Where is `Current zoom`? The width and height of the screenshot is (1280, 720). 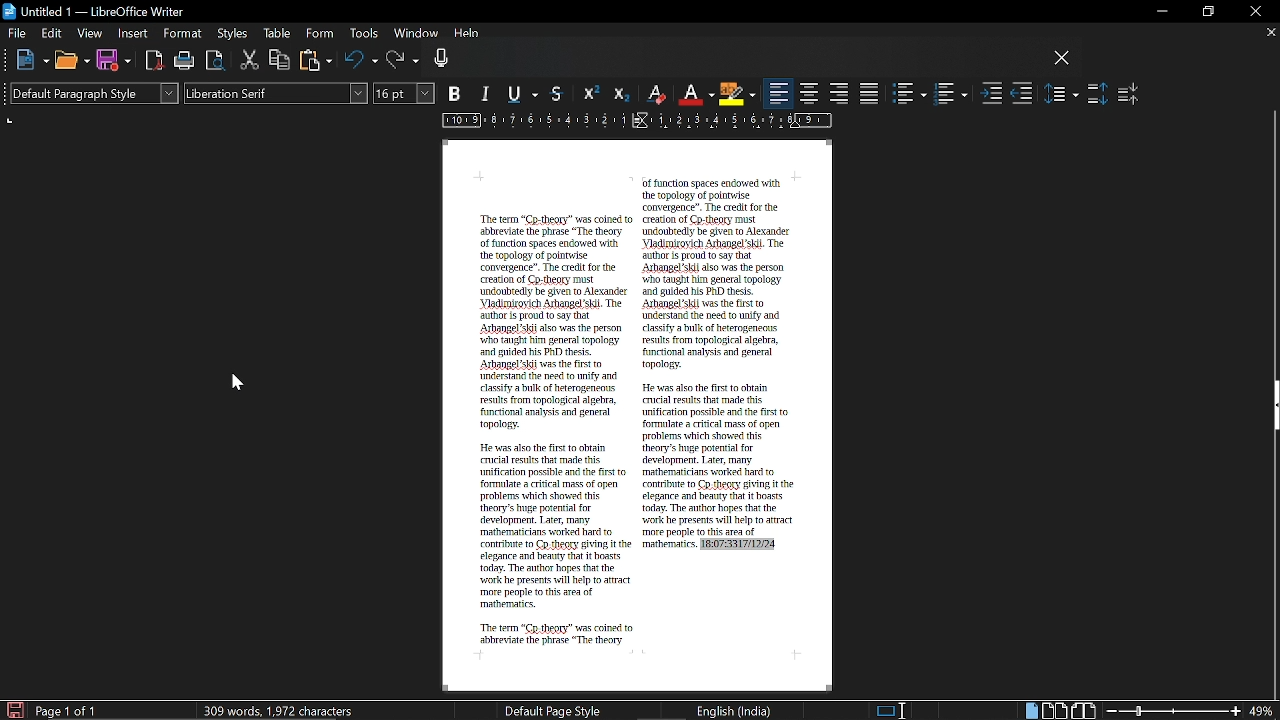 Current zoom is located at coordinates (1263, 711).